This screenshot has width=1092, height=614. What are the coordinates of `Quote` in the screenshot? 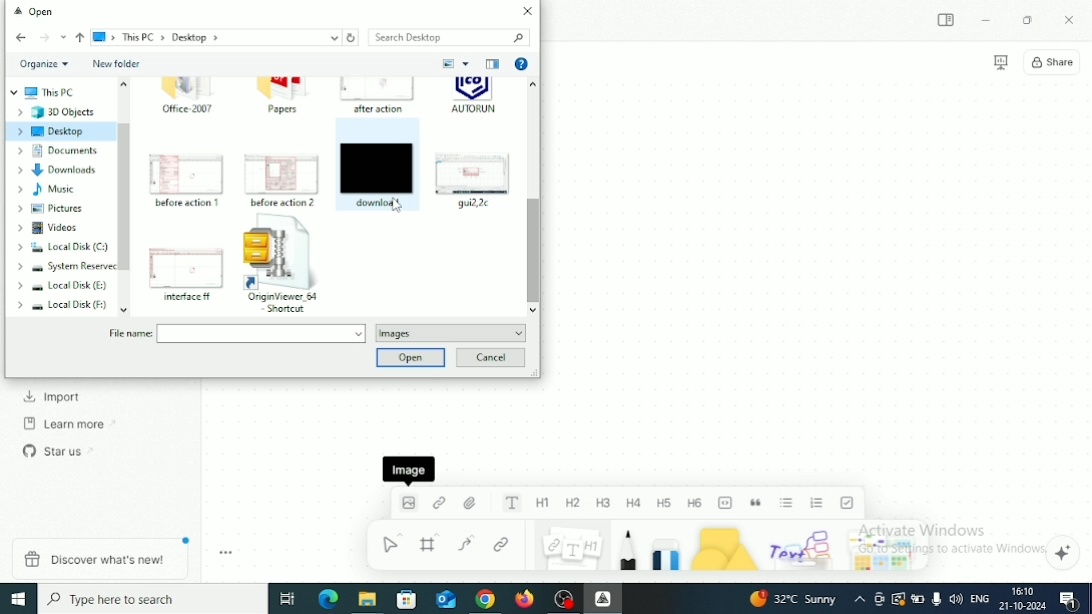 It's located at (757, 503).